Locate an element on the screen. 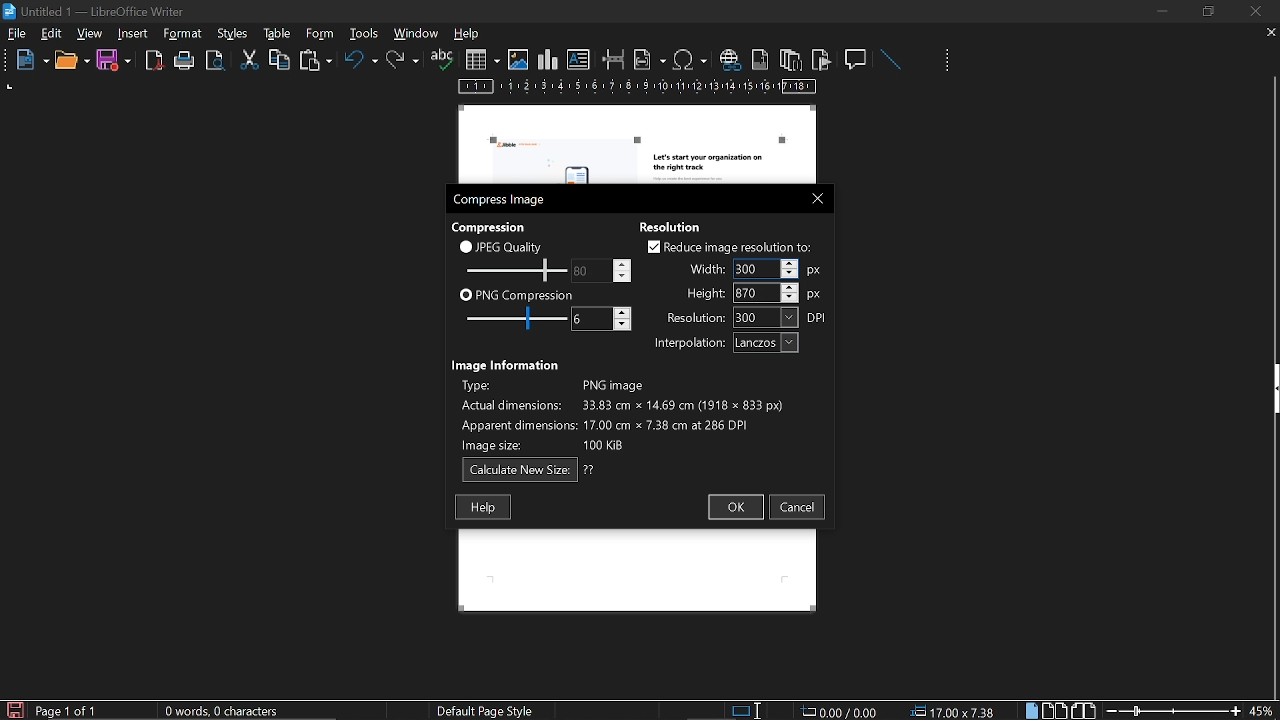  current page is located at coordinates (67, 711).